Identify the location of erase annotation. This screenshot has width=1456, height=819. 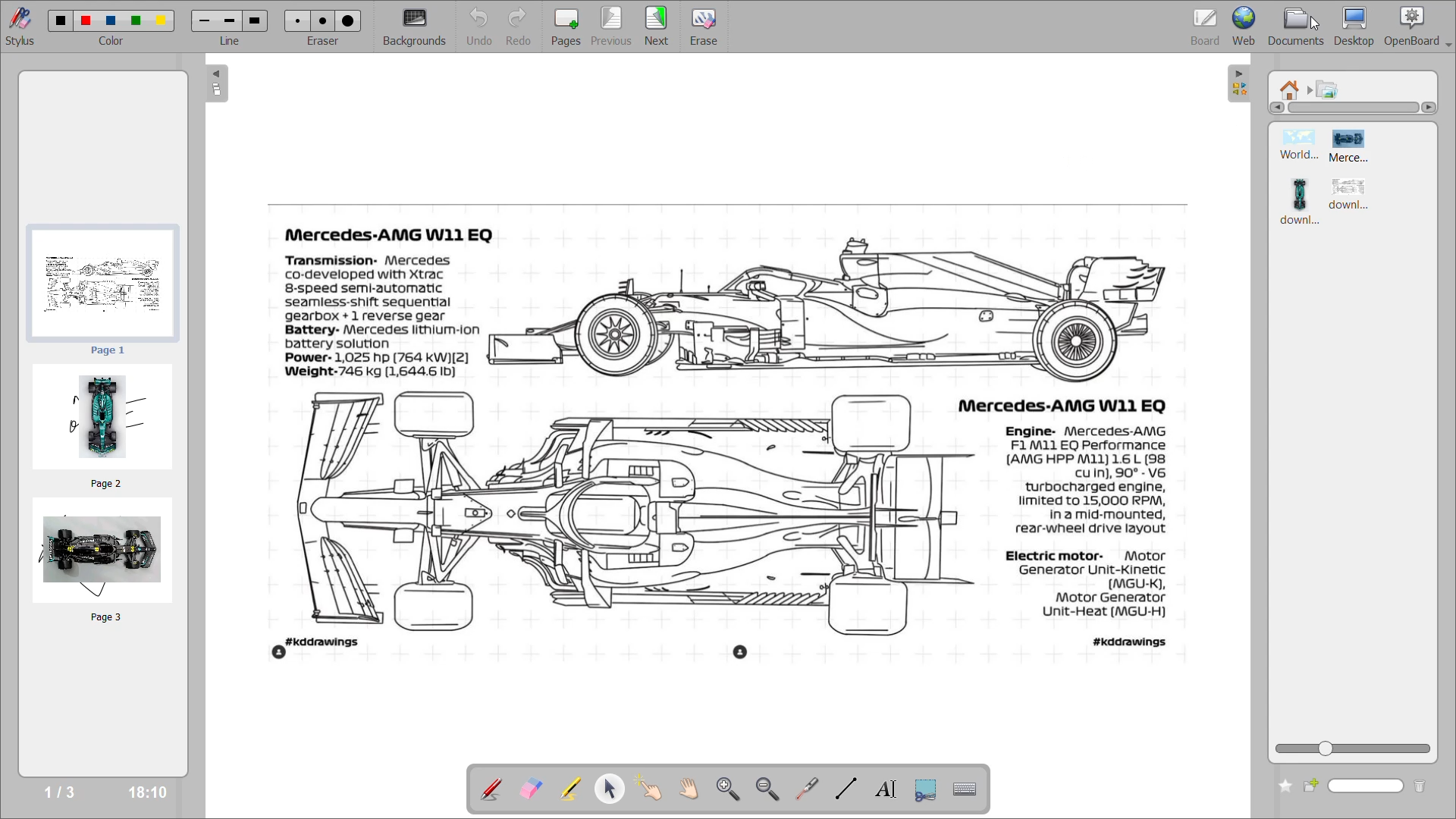
(533, 790).